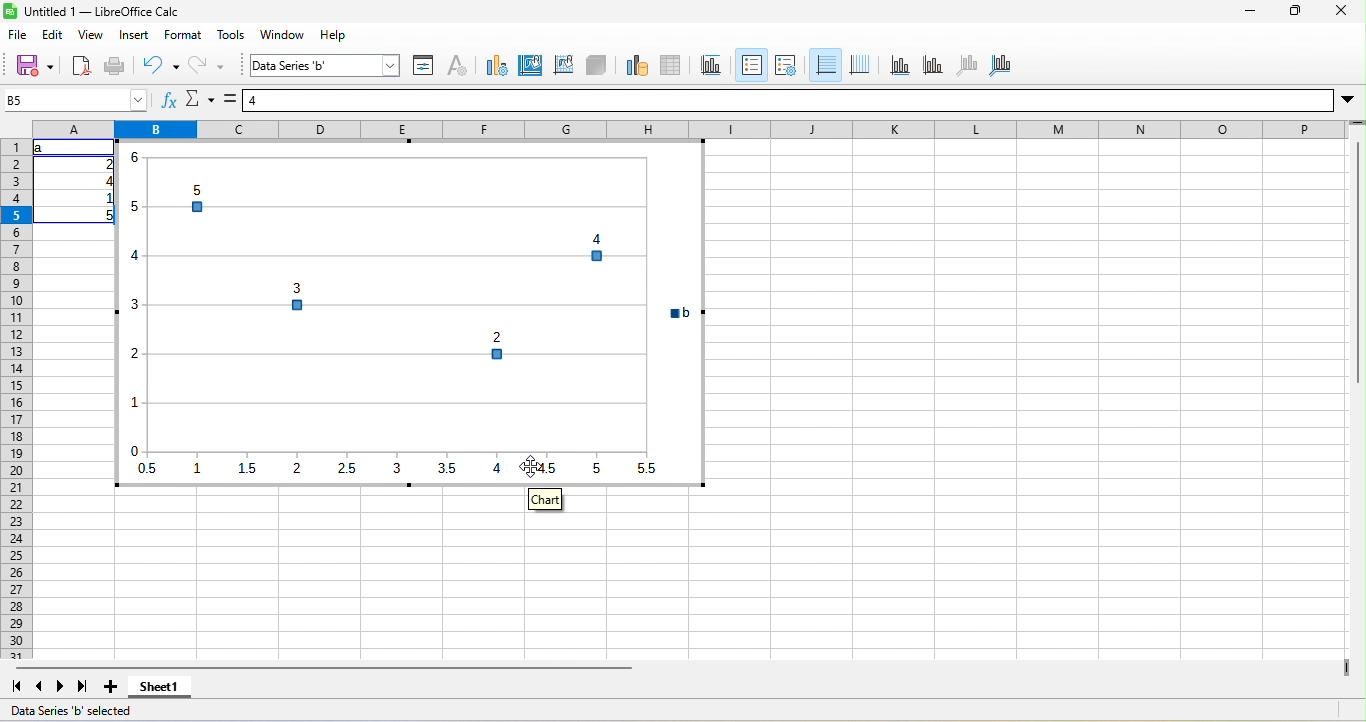 The width and height of the screenshot is (1366, 722). What do you see at coordinates (16, 686) in the screenshot?
I see `first sheet` at bounding box center [16, 686].